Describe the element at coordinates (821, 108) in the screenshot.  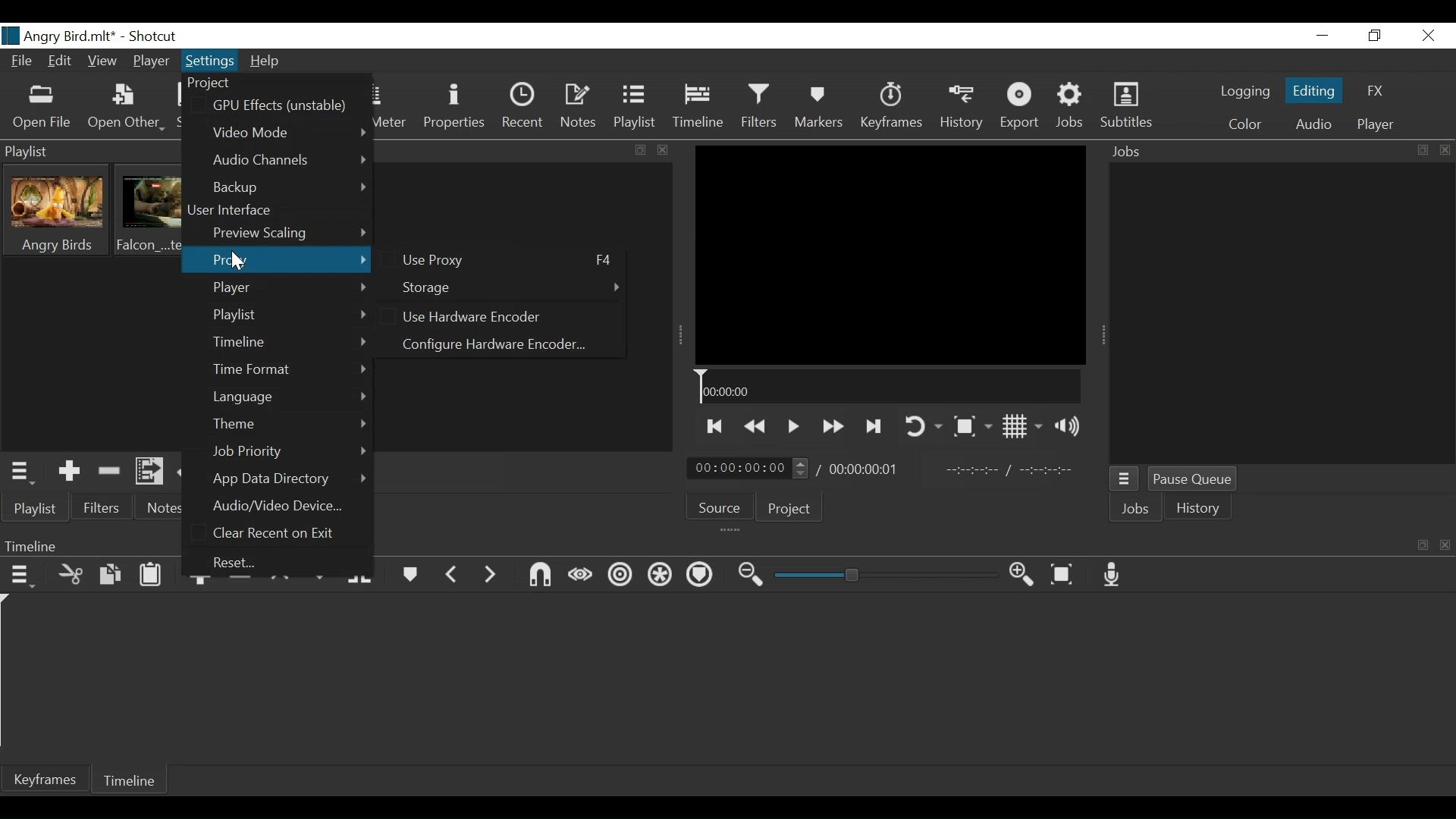
I see `Markers` at that location.